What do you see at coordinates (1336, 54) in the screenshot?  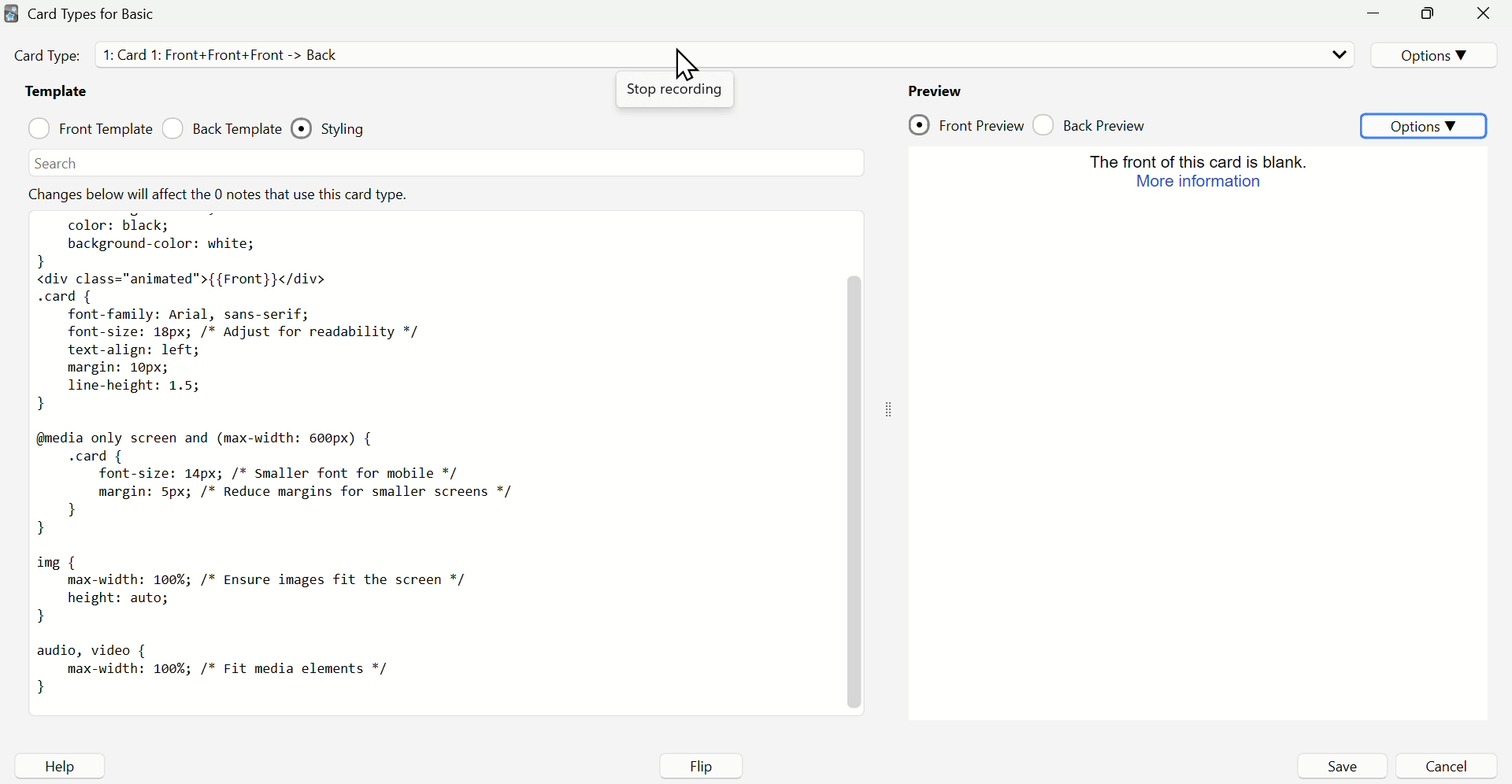 I see `Dropdown` at bounding box center [1336, 54].